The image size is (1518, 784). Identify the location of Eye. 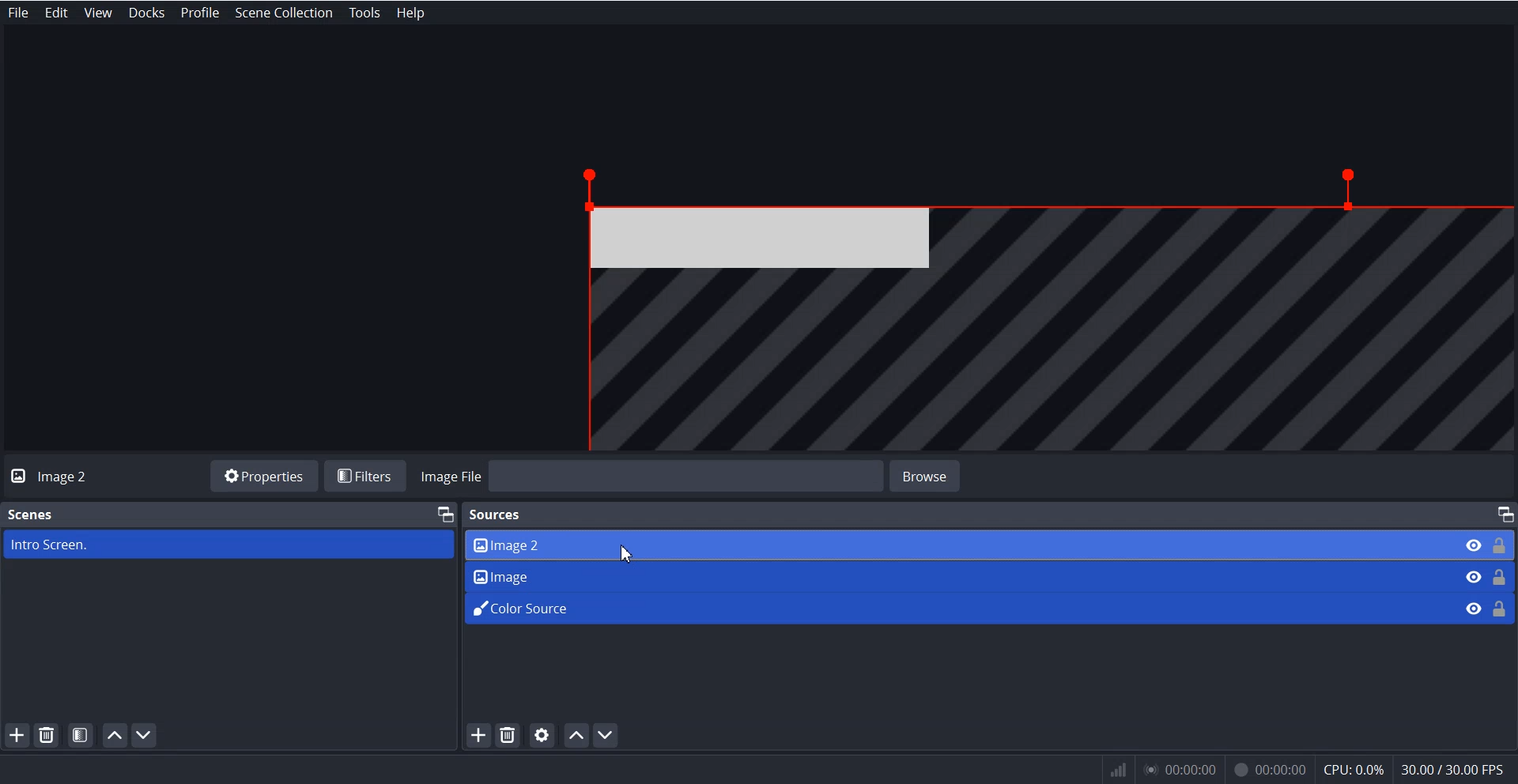
(1472, 576).